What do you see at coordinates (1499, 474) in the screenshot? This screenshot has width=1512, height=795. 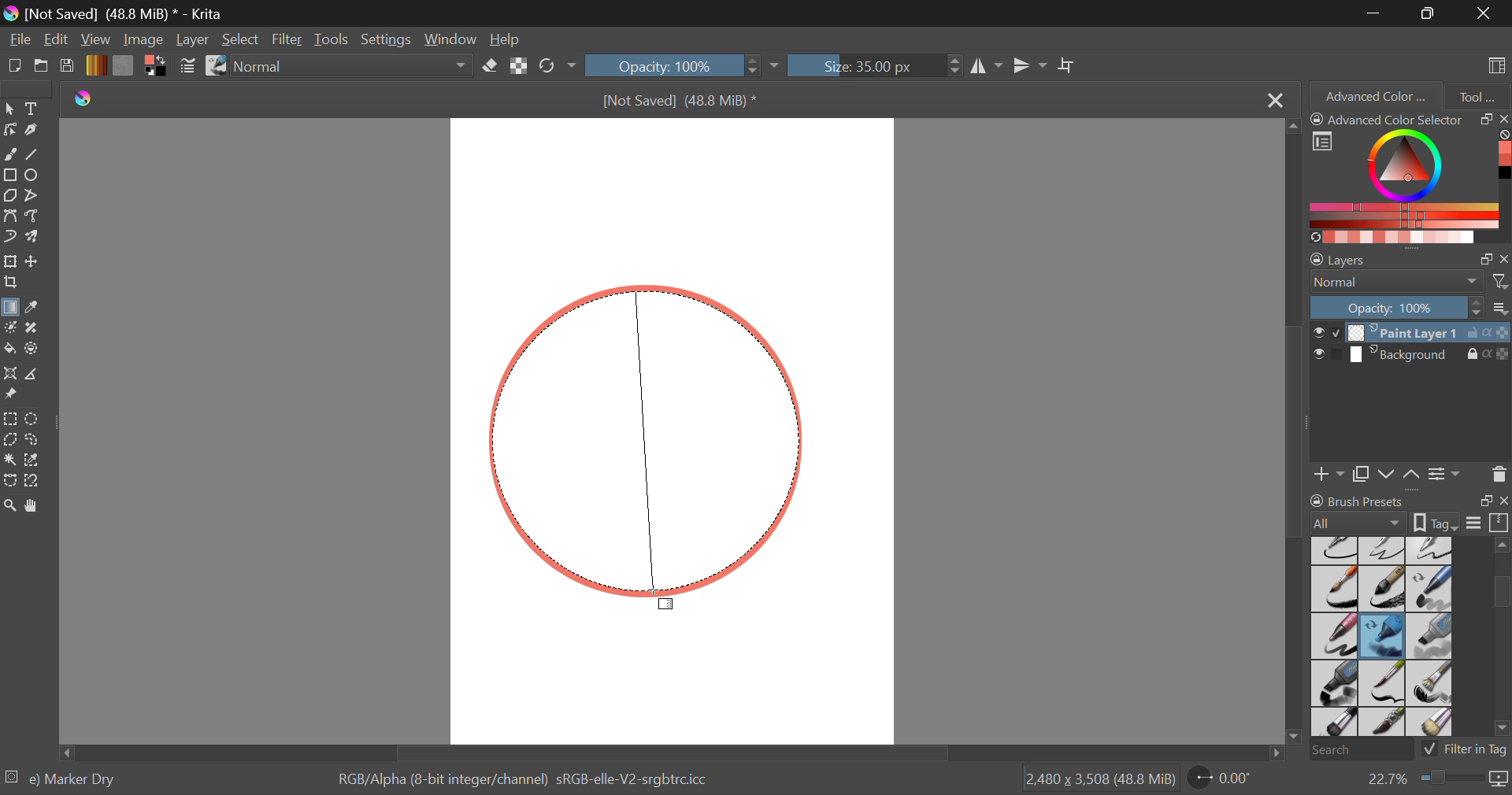 I see `Delete` at bounding box center [1499, 474].